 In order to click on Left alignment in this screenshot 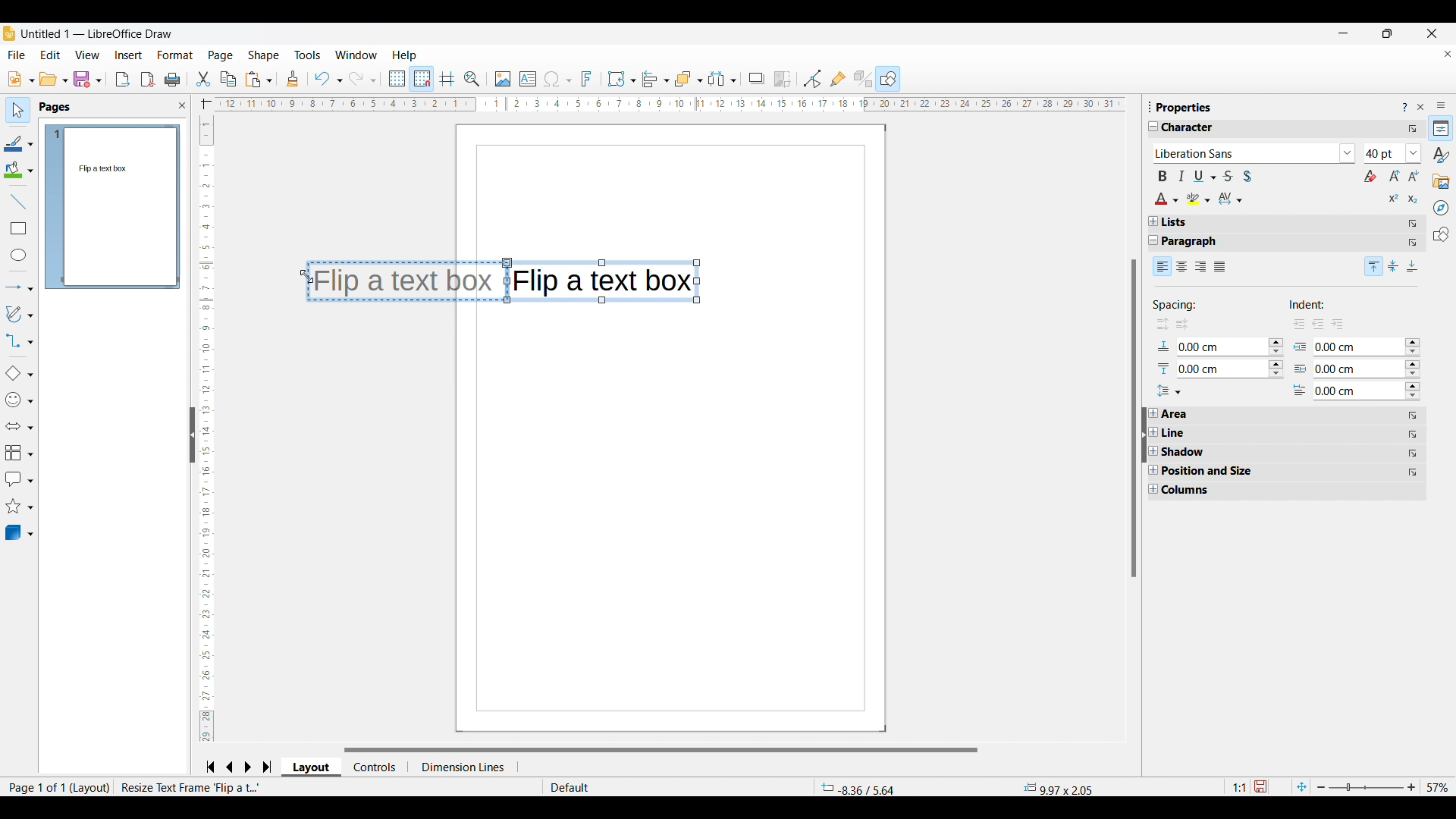, I will do `click(1163, 265)`.